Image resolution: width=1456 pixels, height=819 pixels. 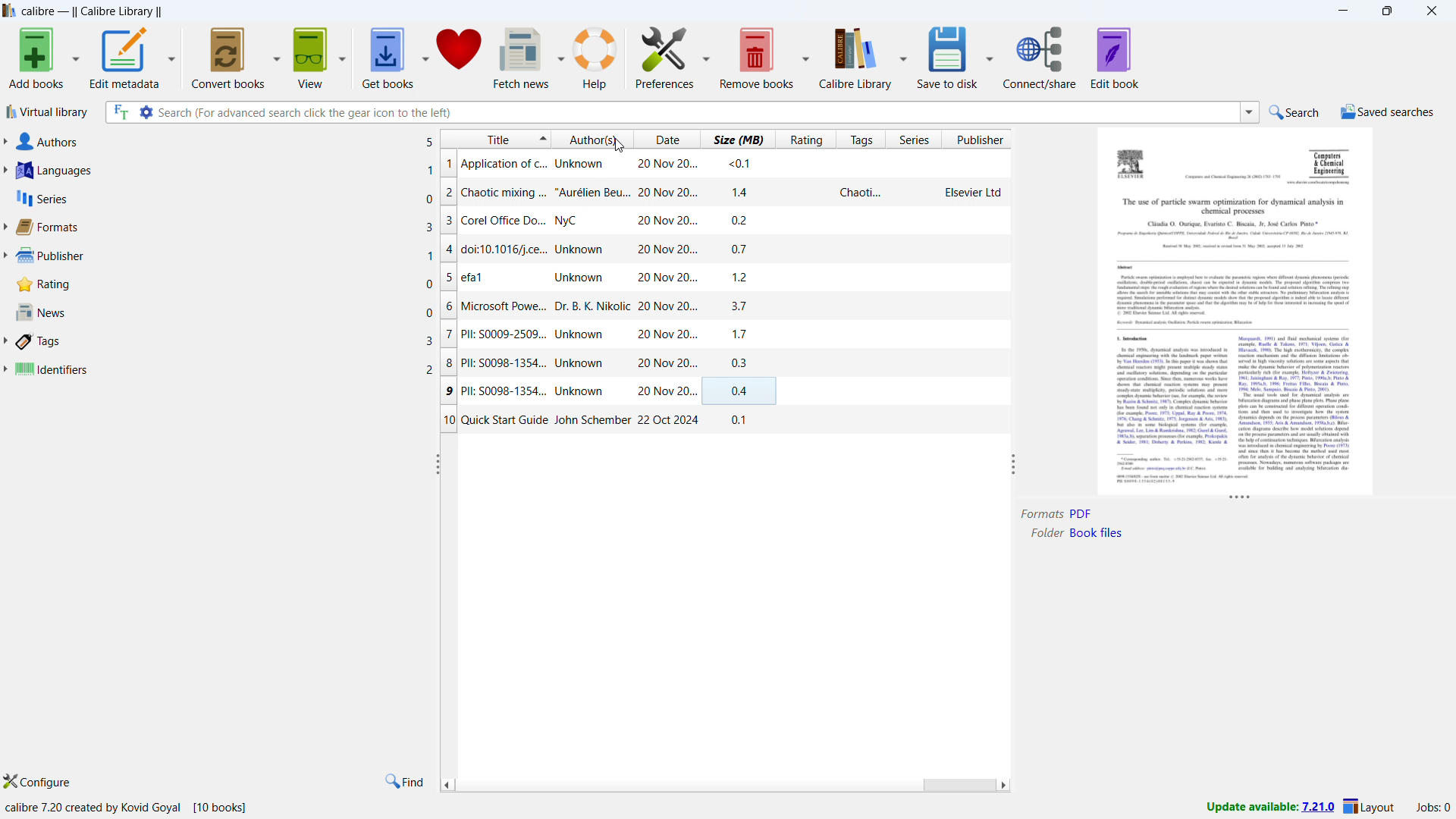 What do you see at coordinates (739, 421) in the screenshot?
I see `0.1` at bounding box center [739, 421].